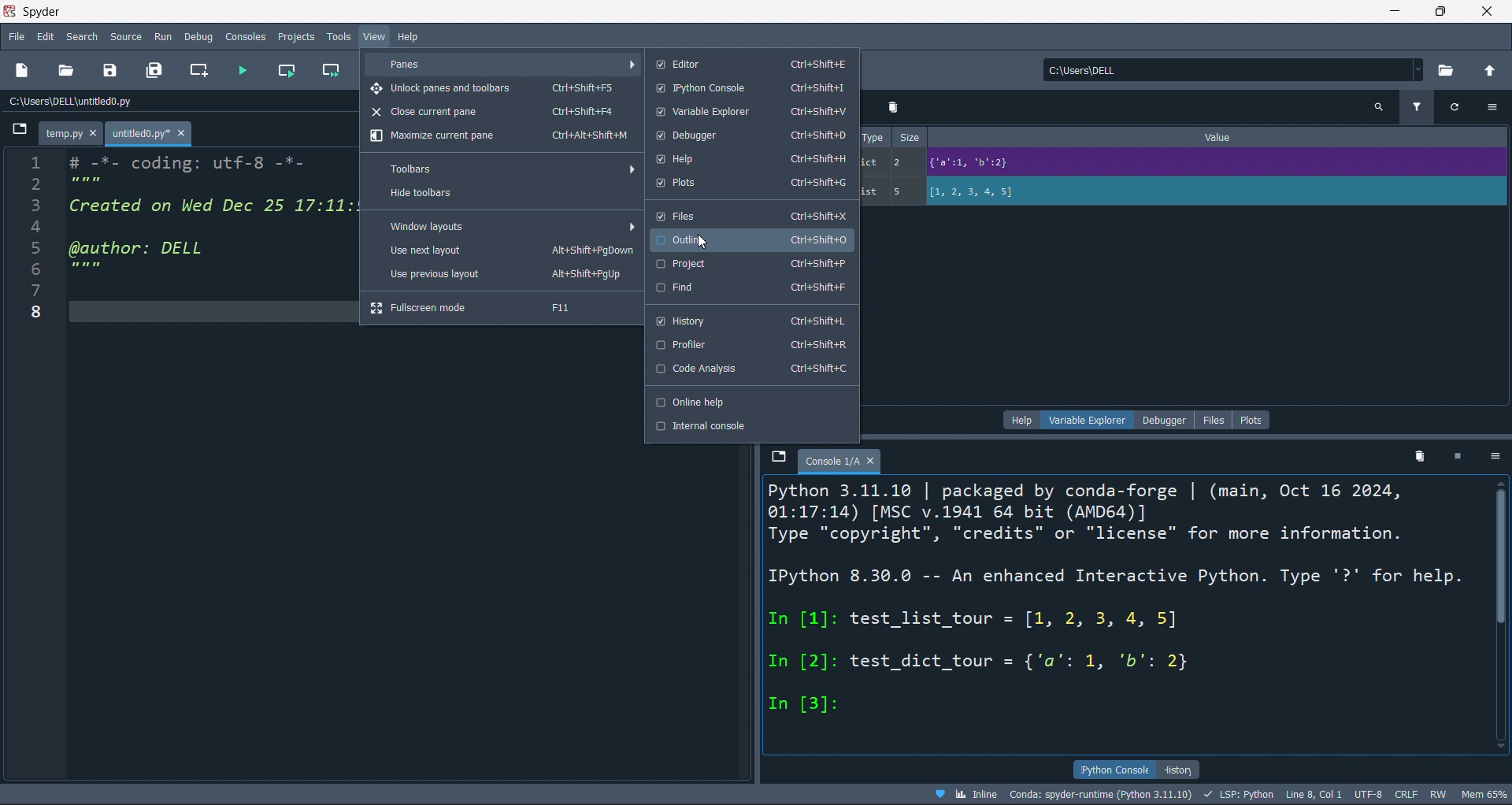 This screenshot has height=805, width=1512. I want to click on debug, so click(197, 36).